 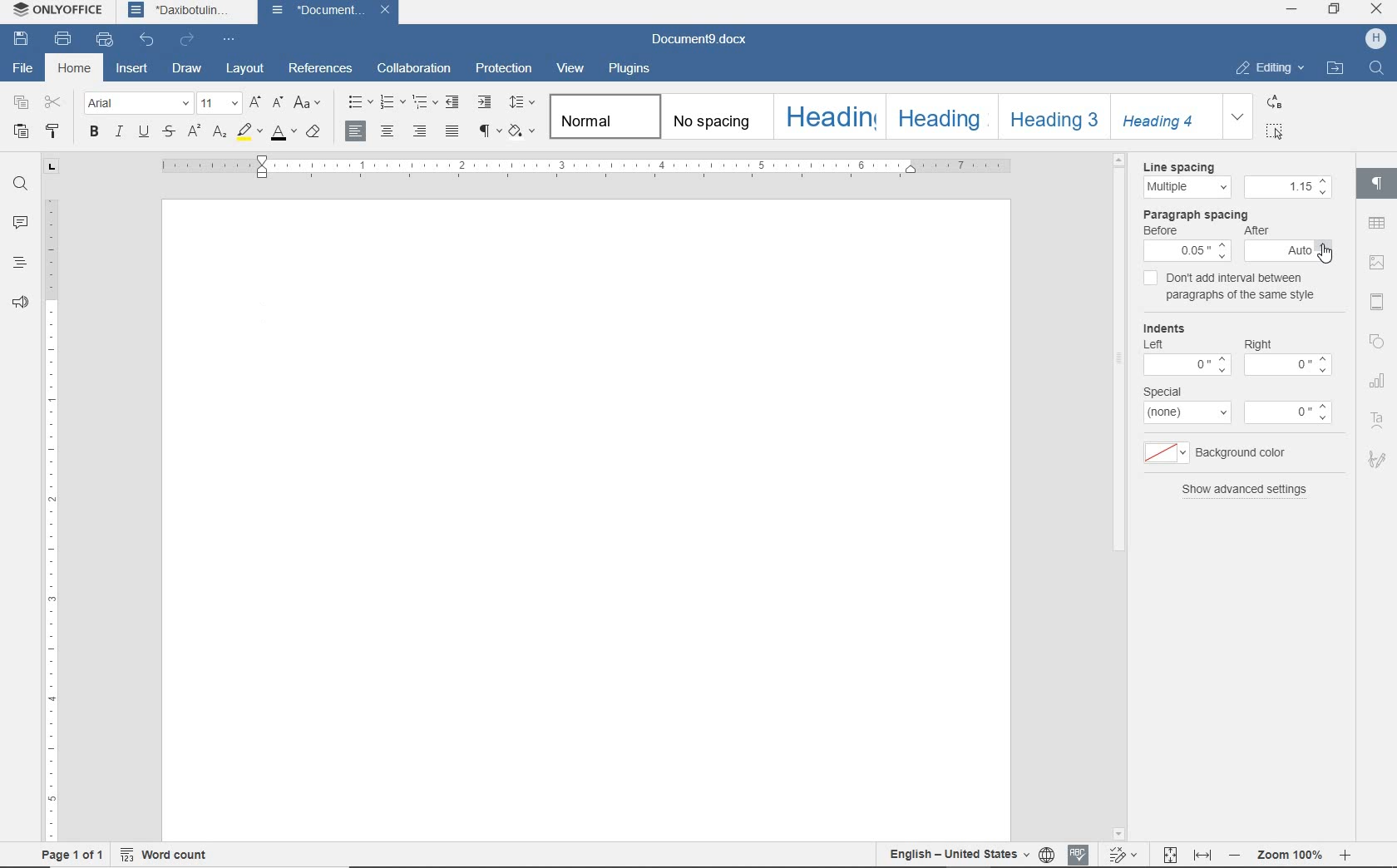 What do you see at coordinates (1234, 284) in the screenshot?
I see `don't add interval between paragraphs of the same style` at bounding box center [1234, 284].